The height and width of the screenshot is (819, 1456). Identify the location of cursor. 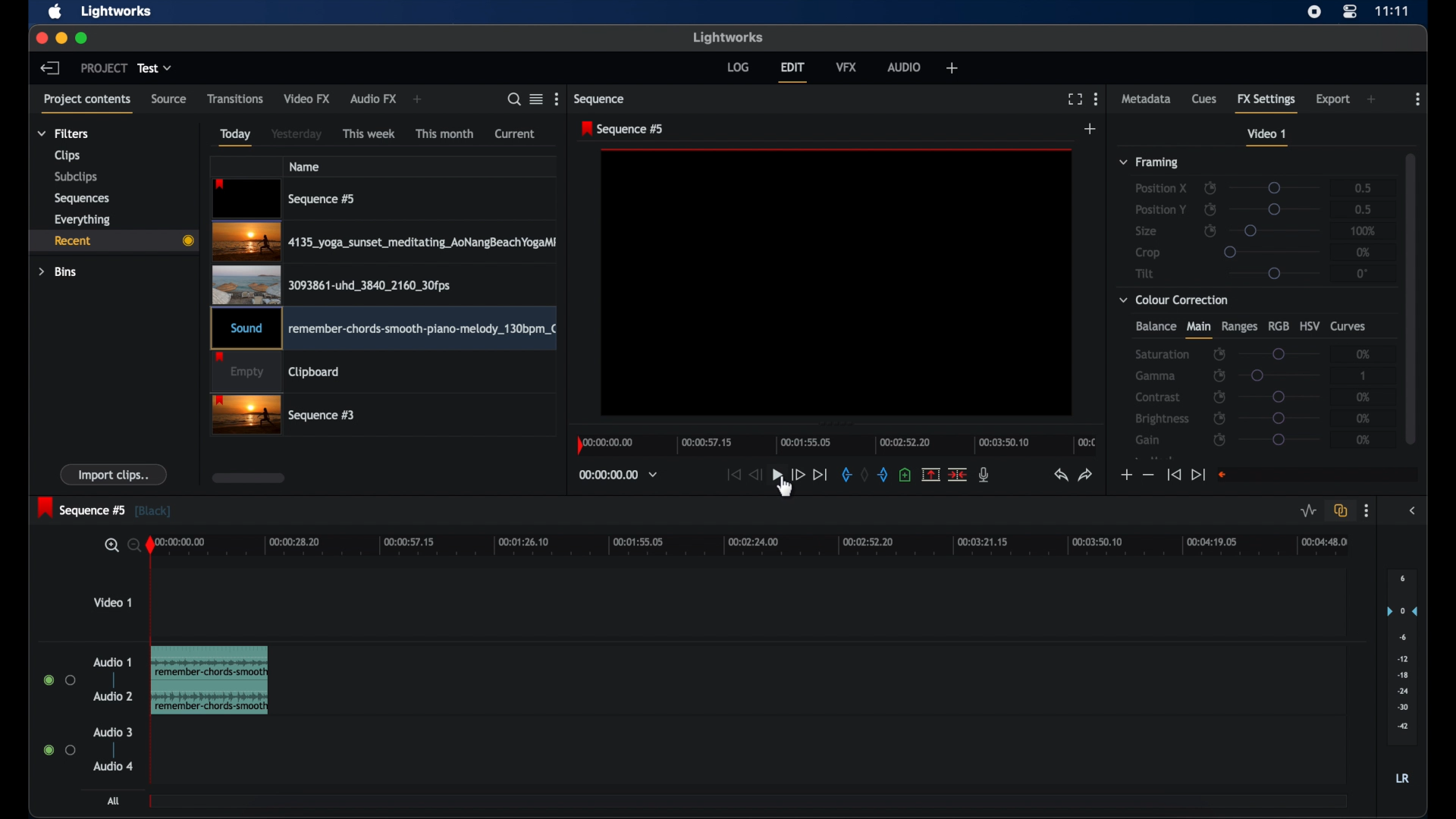
(784, 494).